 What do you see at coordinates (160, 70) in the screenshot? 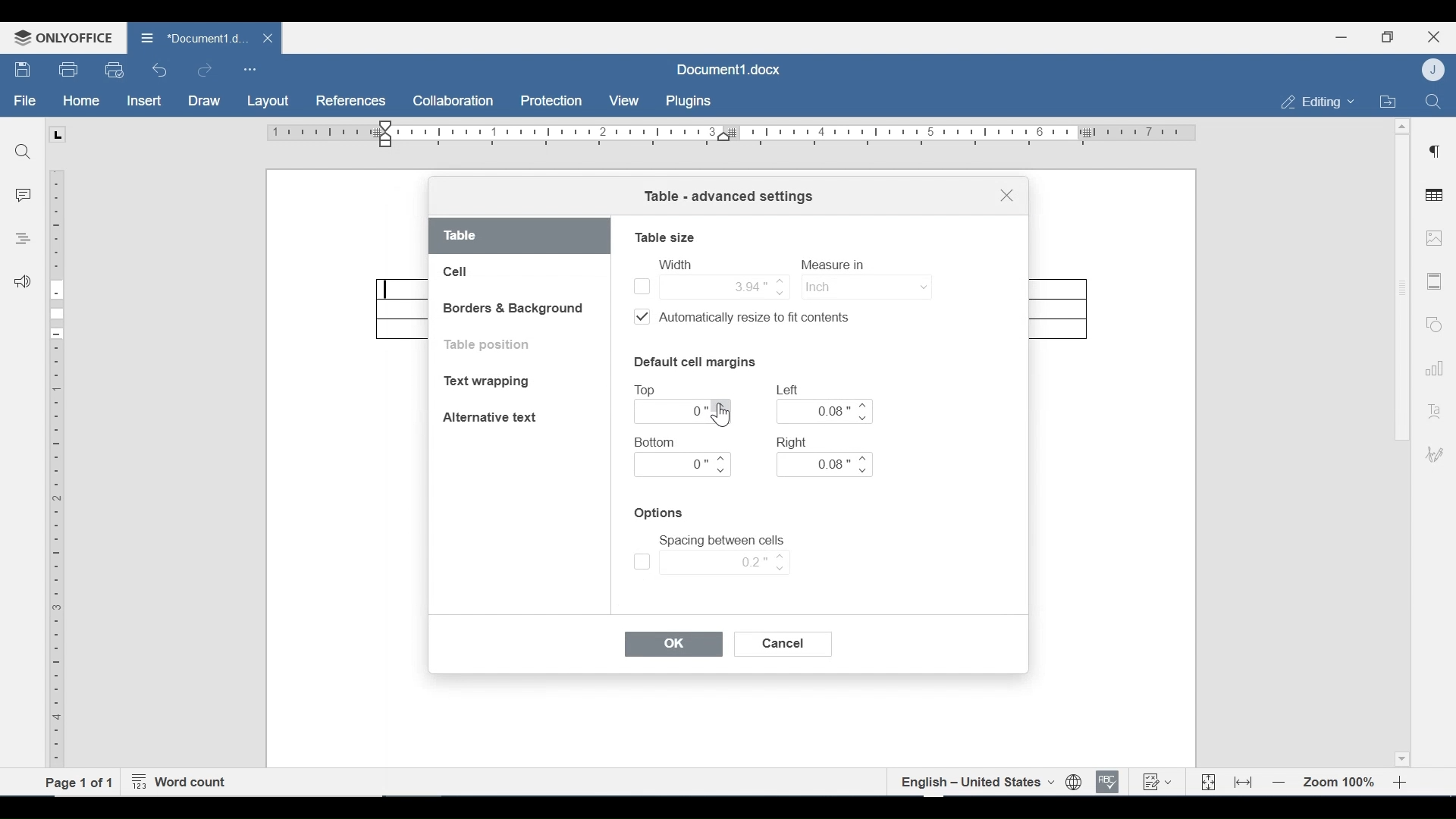
I see `Undo` at bounding box center [160, 70].